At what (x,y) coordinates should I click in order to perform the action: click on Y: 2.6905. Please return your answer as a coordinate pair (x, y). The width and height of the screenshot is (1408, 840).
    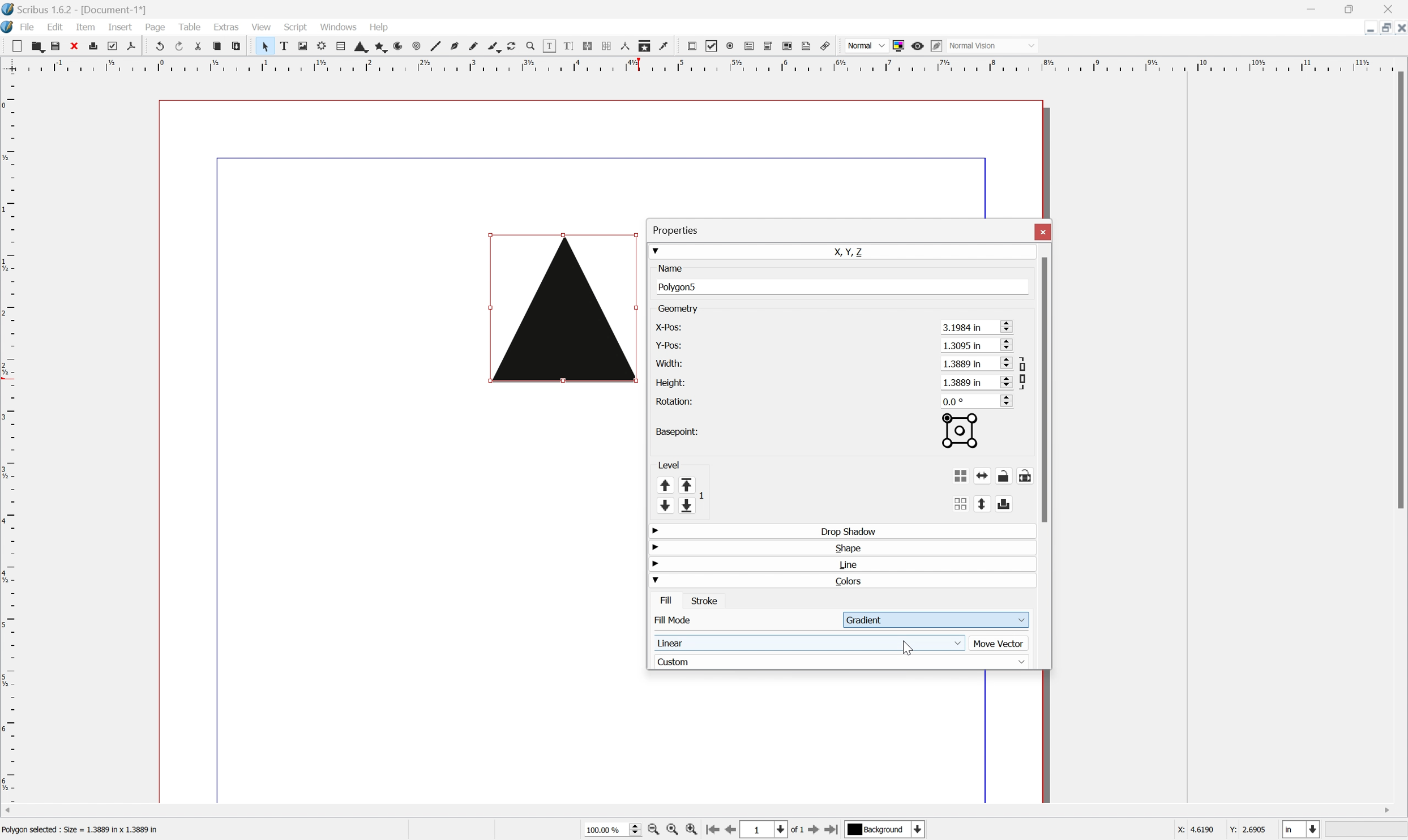
    Looking at the image, I should click on (1248, 830).